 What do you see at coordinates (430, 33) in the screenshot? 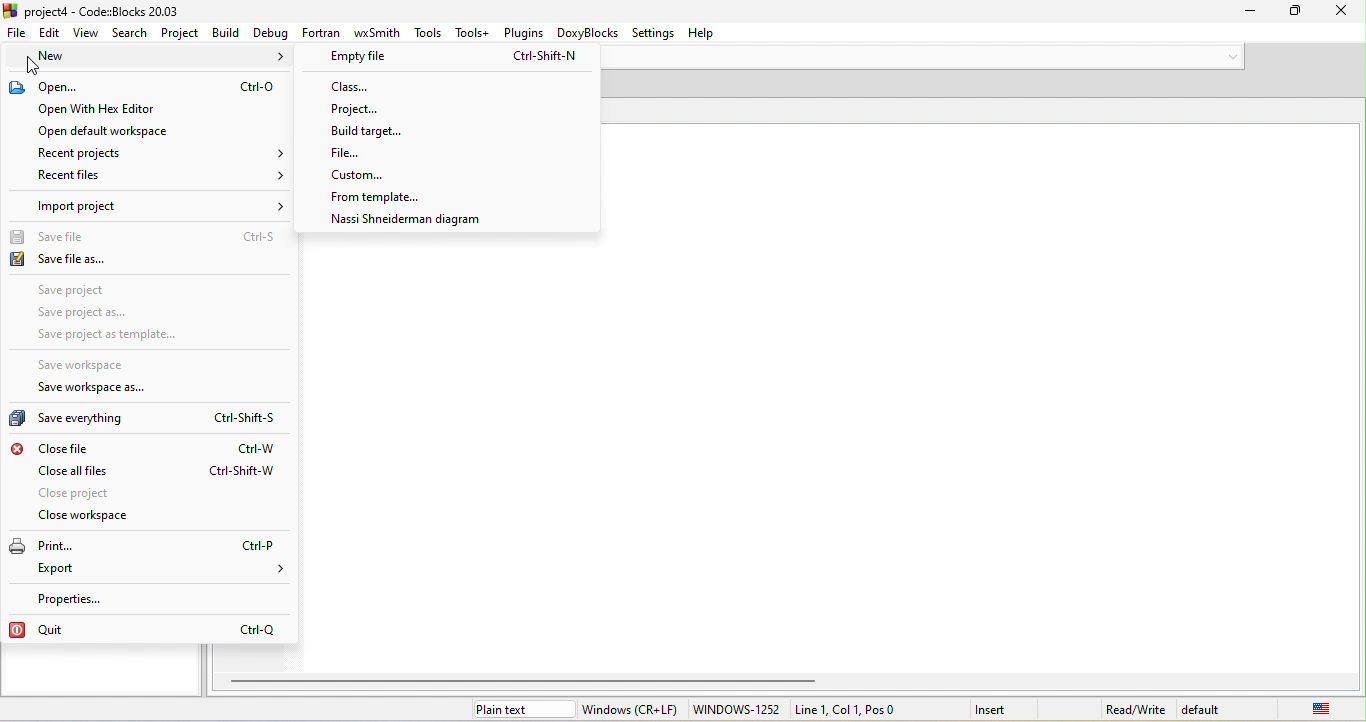
I see `tools` at bounding box center [430, 33].